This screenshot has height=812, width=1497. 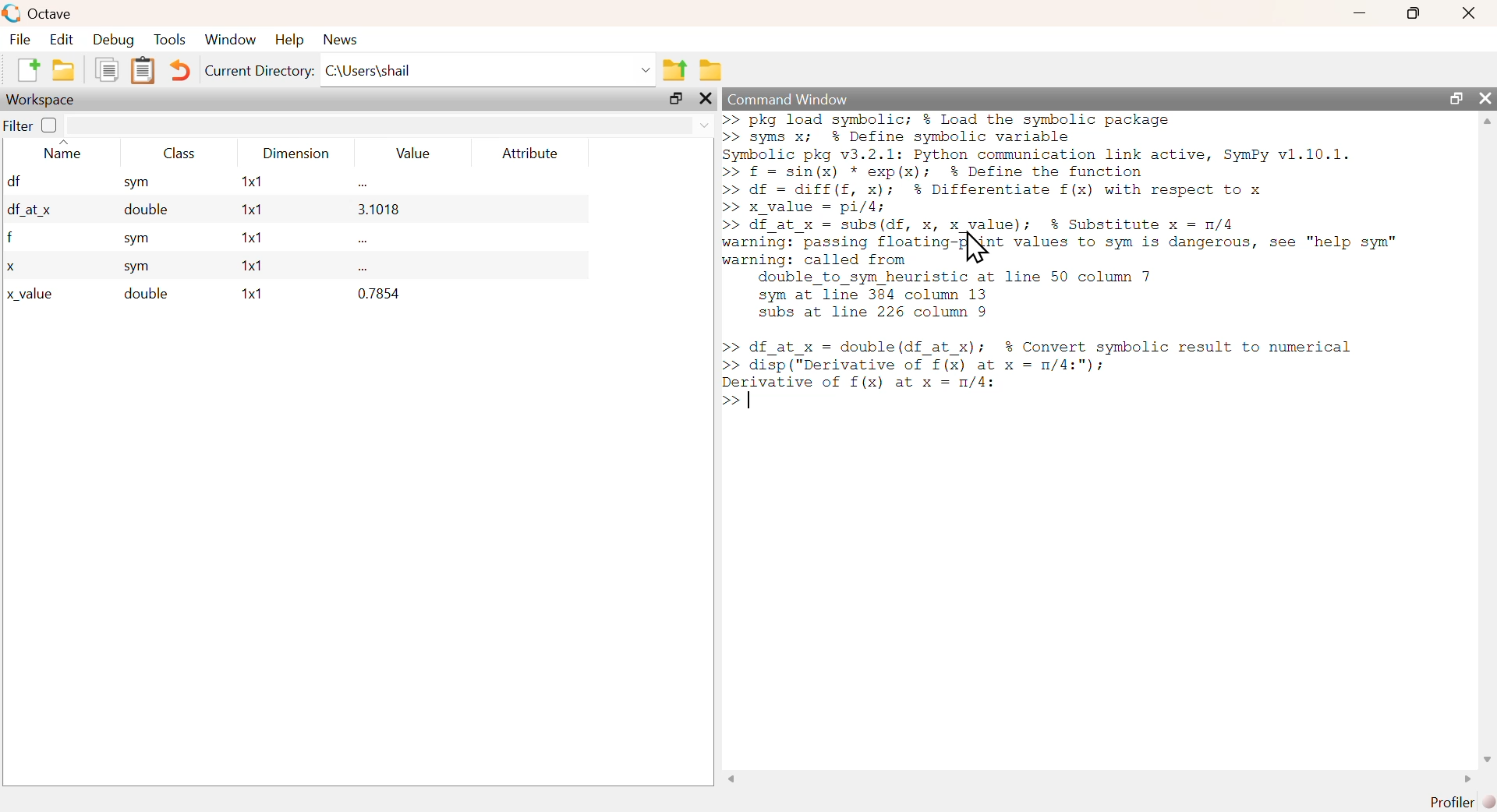 I want to click on double, so click(x=143, y=294).